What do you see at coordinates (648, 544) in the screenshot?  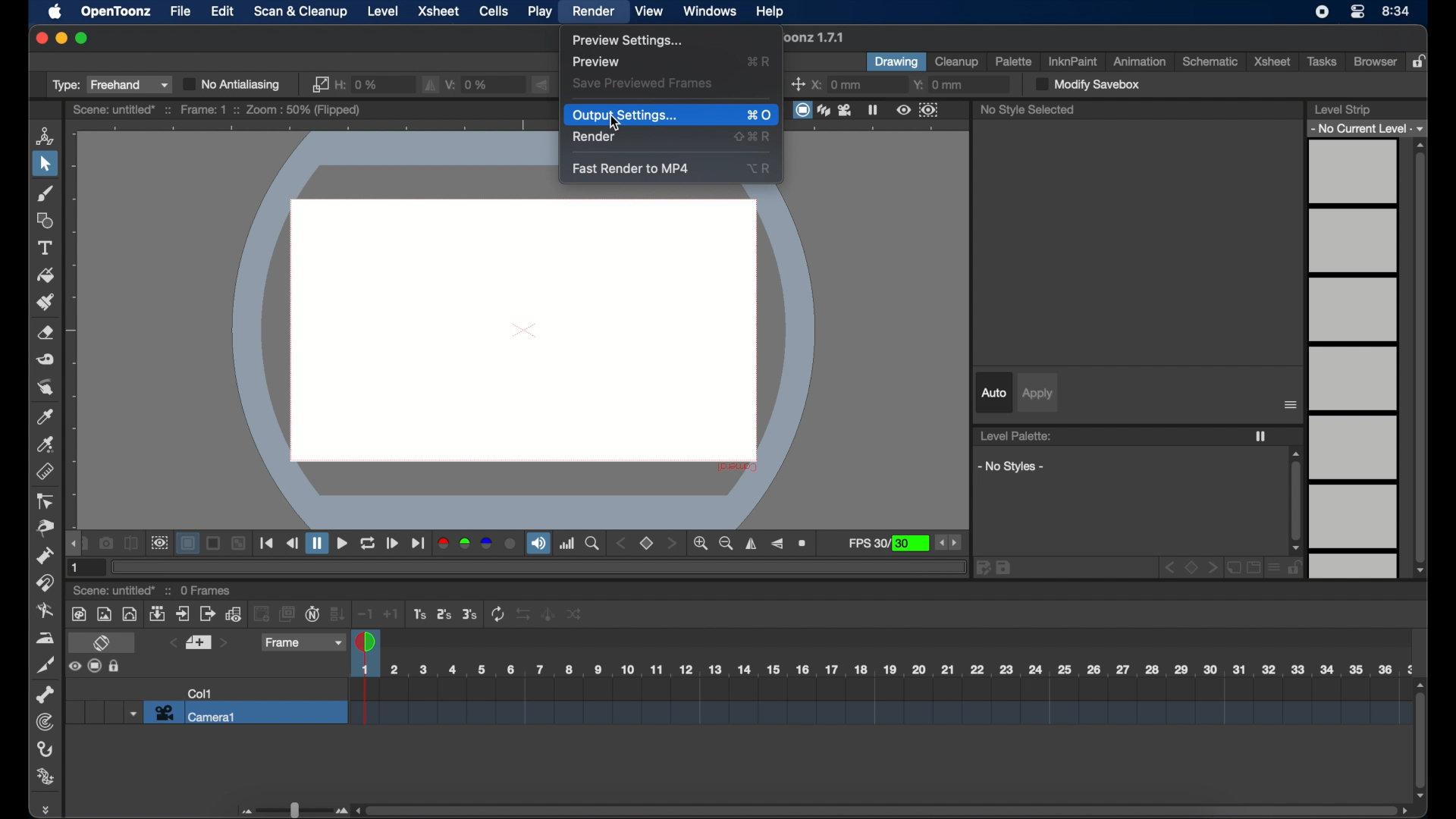 I see `set` at bounding box center [648, 544].